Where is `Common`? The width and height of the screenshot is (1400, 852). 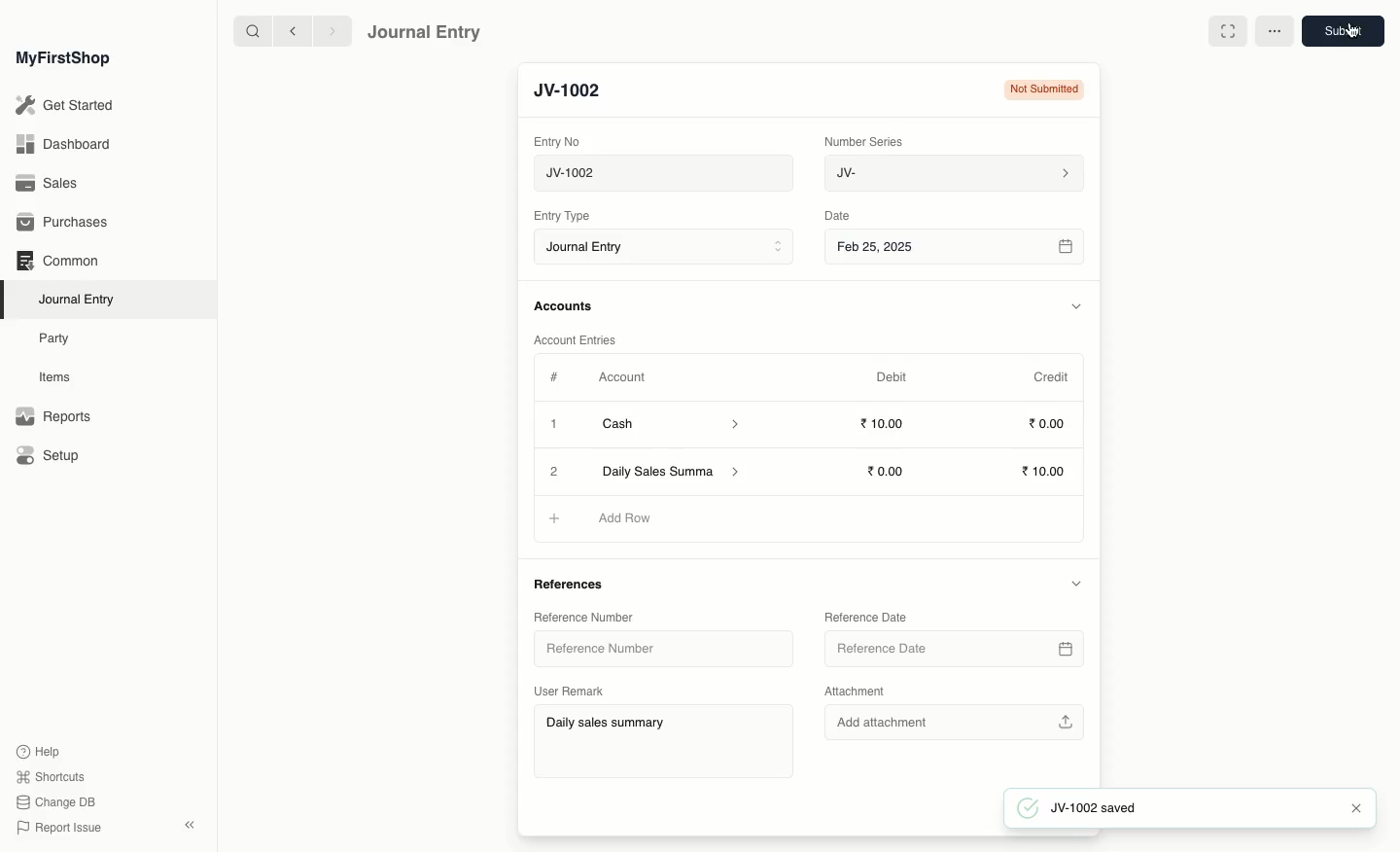 Common is located at coordinates (56, 261).